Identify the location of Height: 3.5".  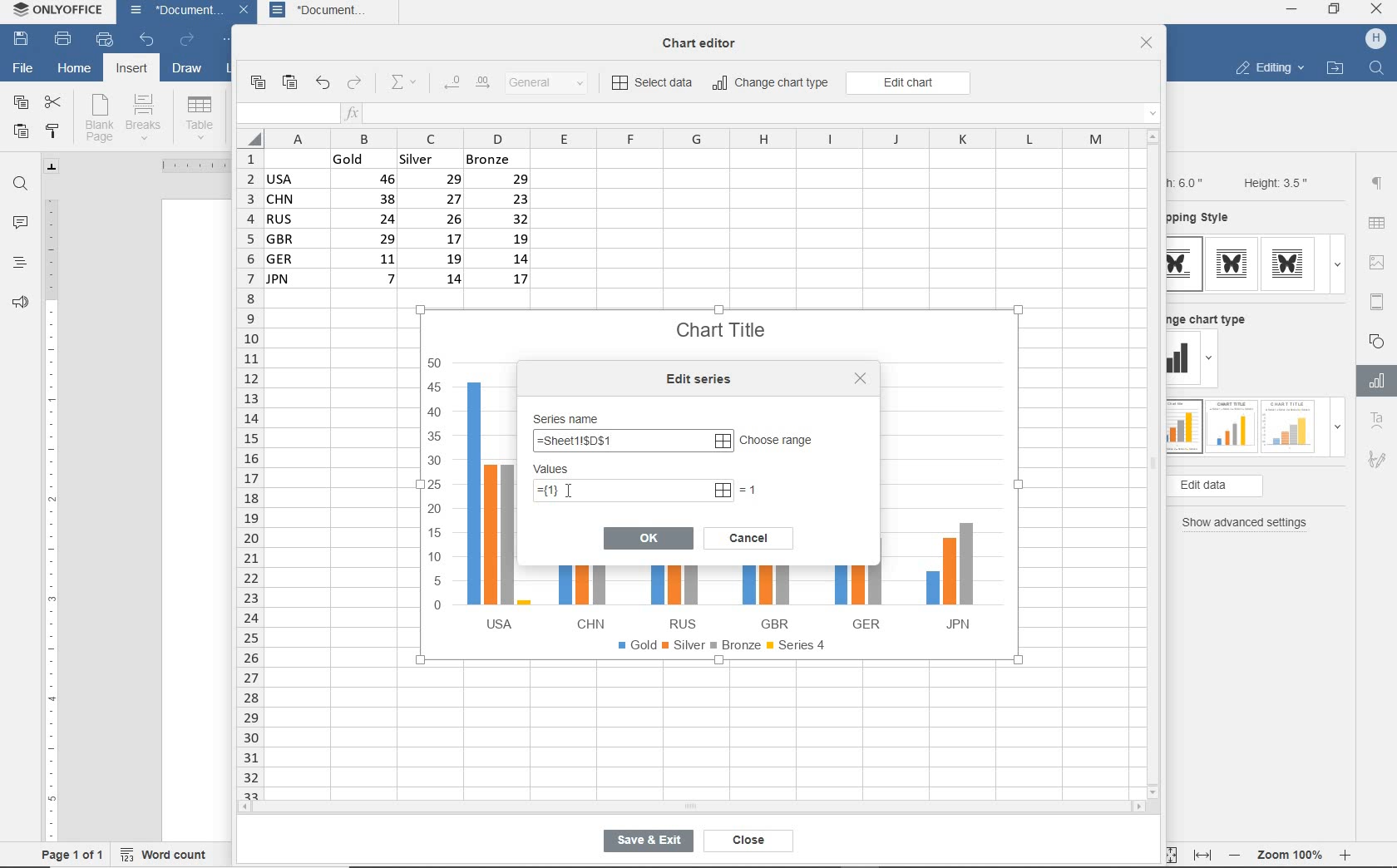
(1273, 182).